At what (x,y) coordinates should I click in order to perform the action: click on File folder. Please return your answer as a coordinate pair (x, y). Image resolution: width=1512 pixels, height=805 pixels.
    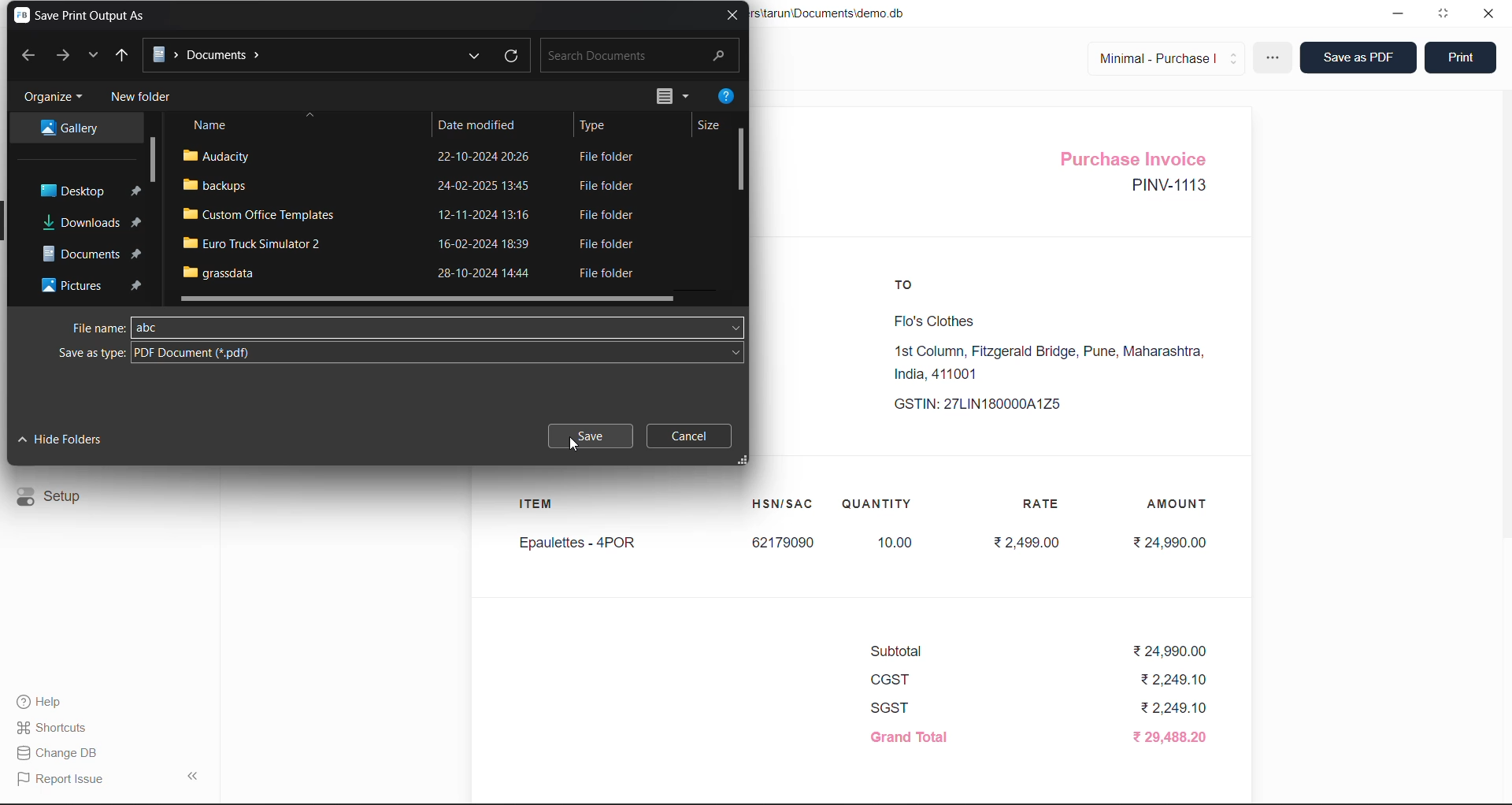
    Looking at the image, I should click on (612, 217).